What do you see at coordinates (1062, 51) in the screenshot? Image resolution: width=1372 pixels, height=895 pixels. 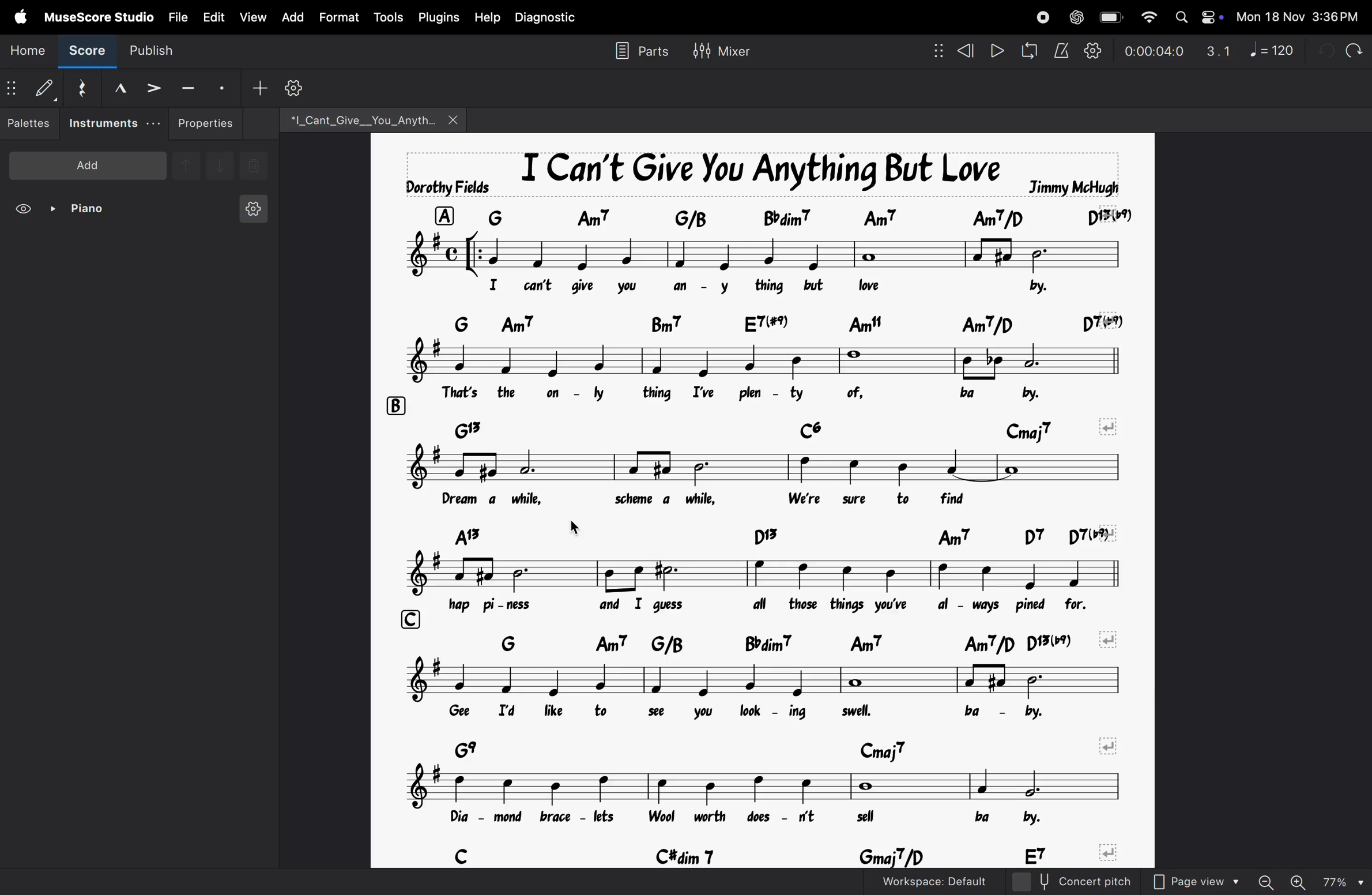 I see `metronome` at bounding box center [1062, 51].